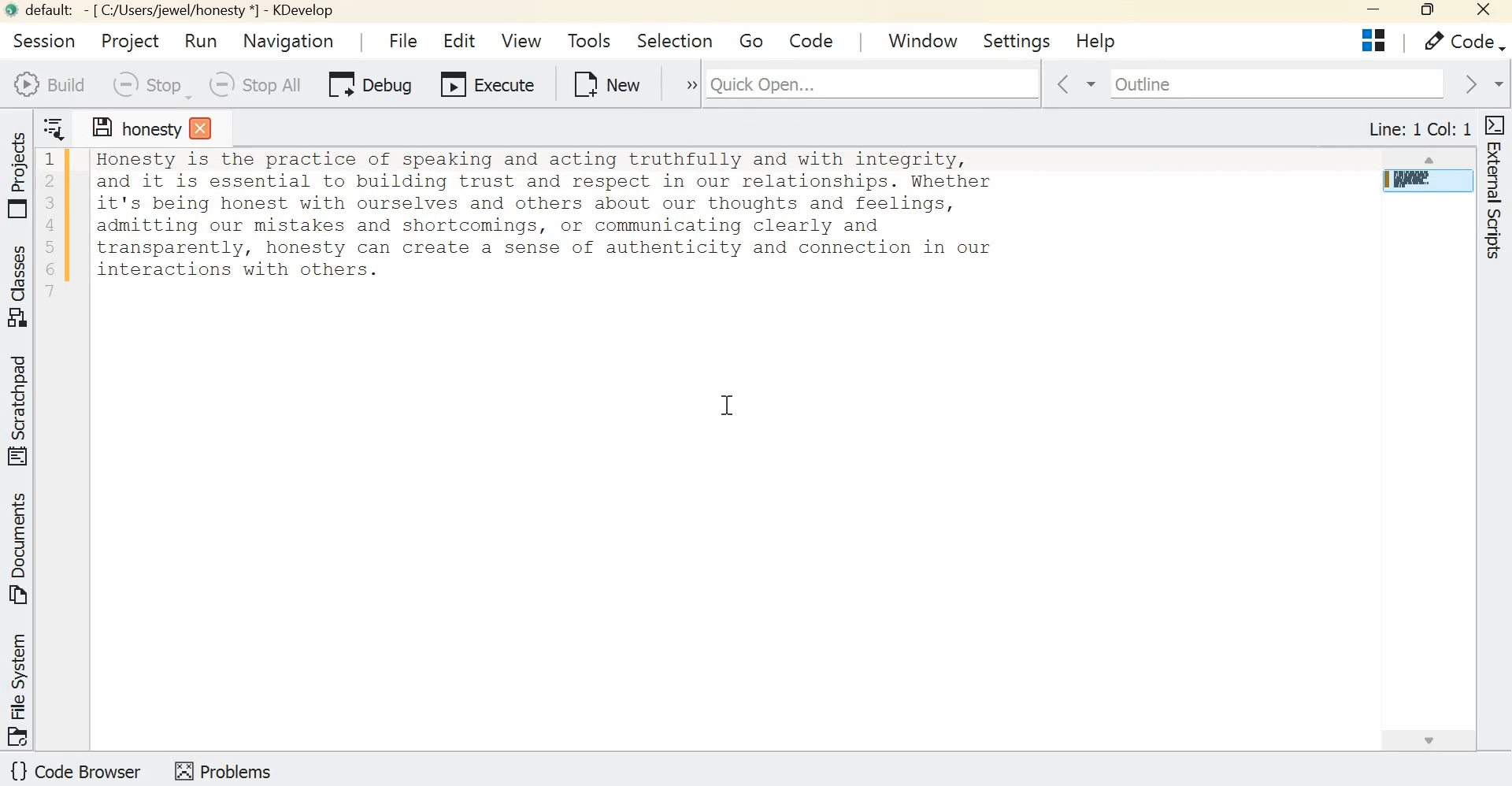 The image size is (1512, 786). What do you see at coordinates (462, 43) in the screenshot?
I see `Edit` at bounding box center [462, 43].